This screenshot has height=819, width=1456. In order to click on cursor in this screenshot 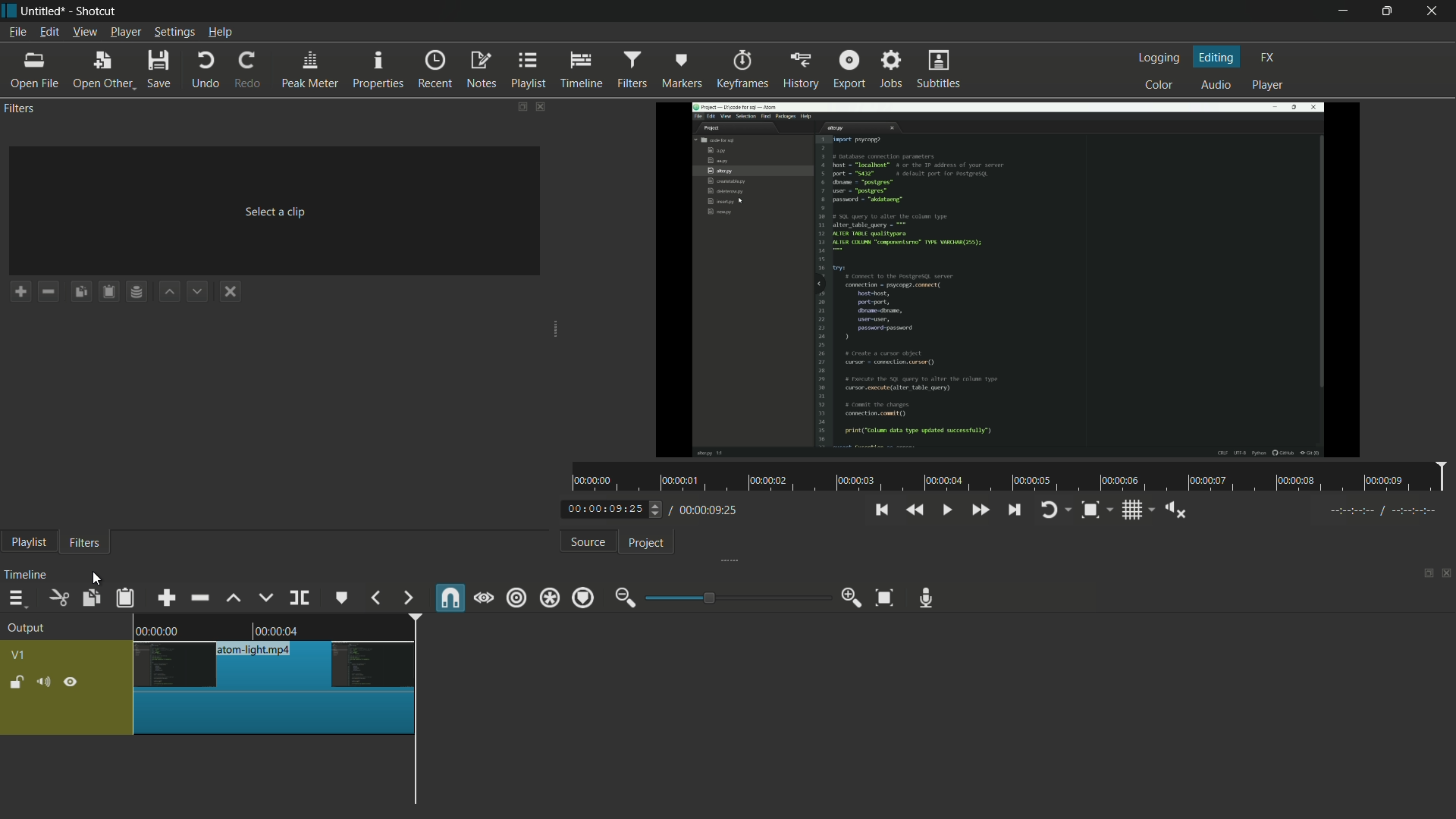, I will do `click(96, 579)`.